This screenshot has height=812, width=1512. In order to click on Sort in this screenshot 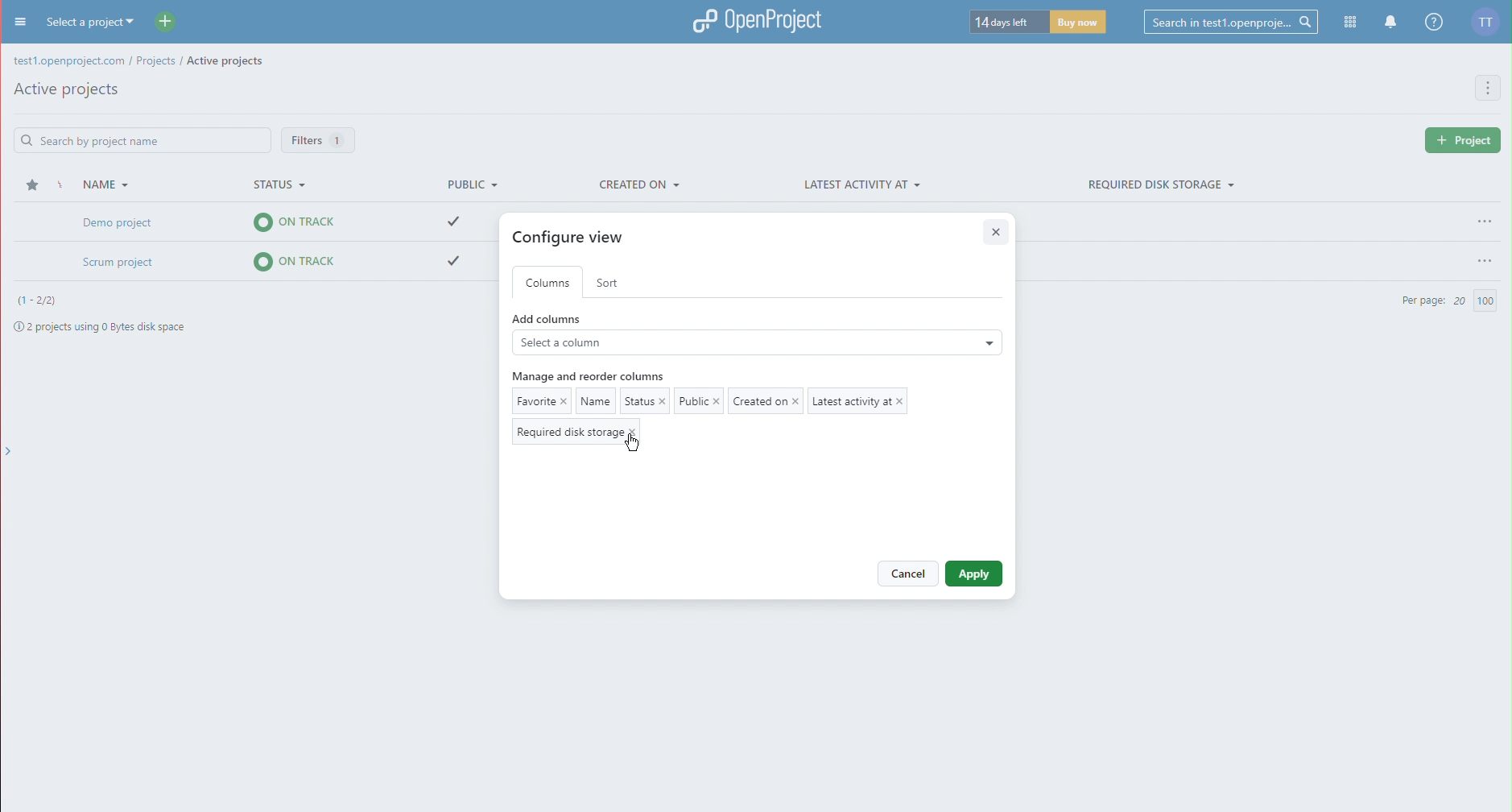, I will do `click(610, 281)`.